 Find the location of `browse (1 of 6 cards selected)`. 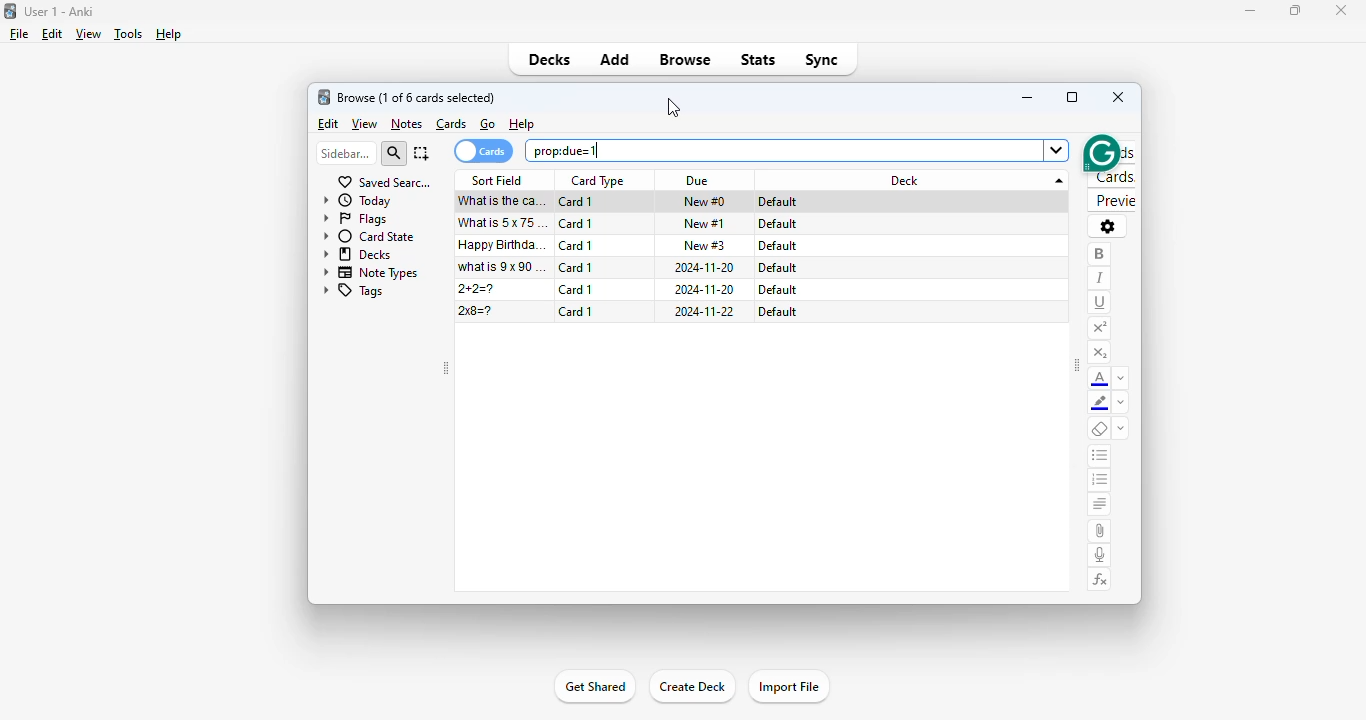

browse (1 of 6 cards selected) is located at coordinates (417, 98).